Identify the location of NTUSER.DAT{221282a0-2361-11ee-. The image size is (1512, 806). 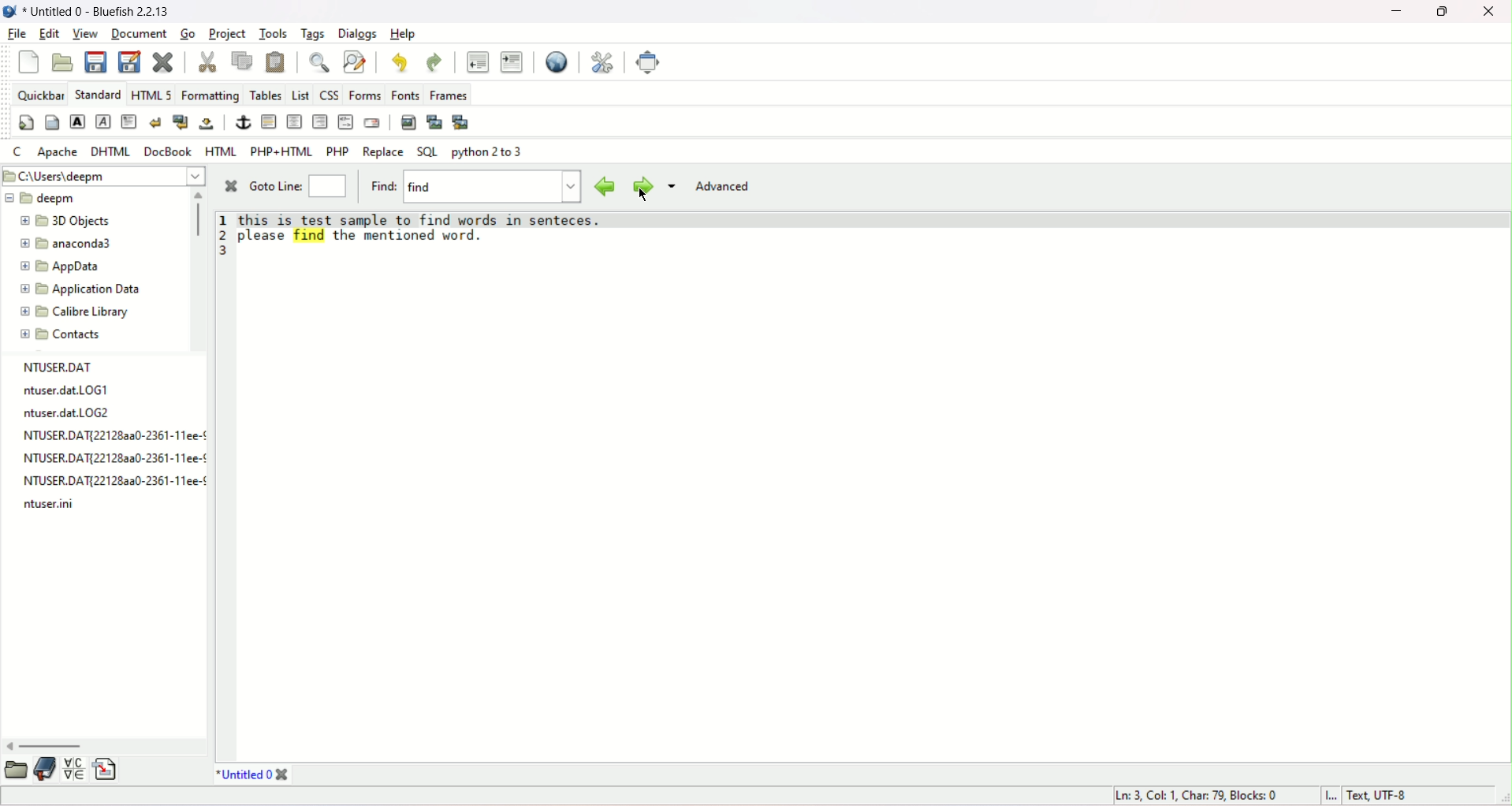
(109, 481).